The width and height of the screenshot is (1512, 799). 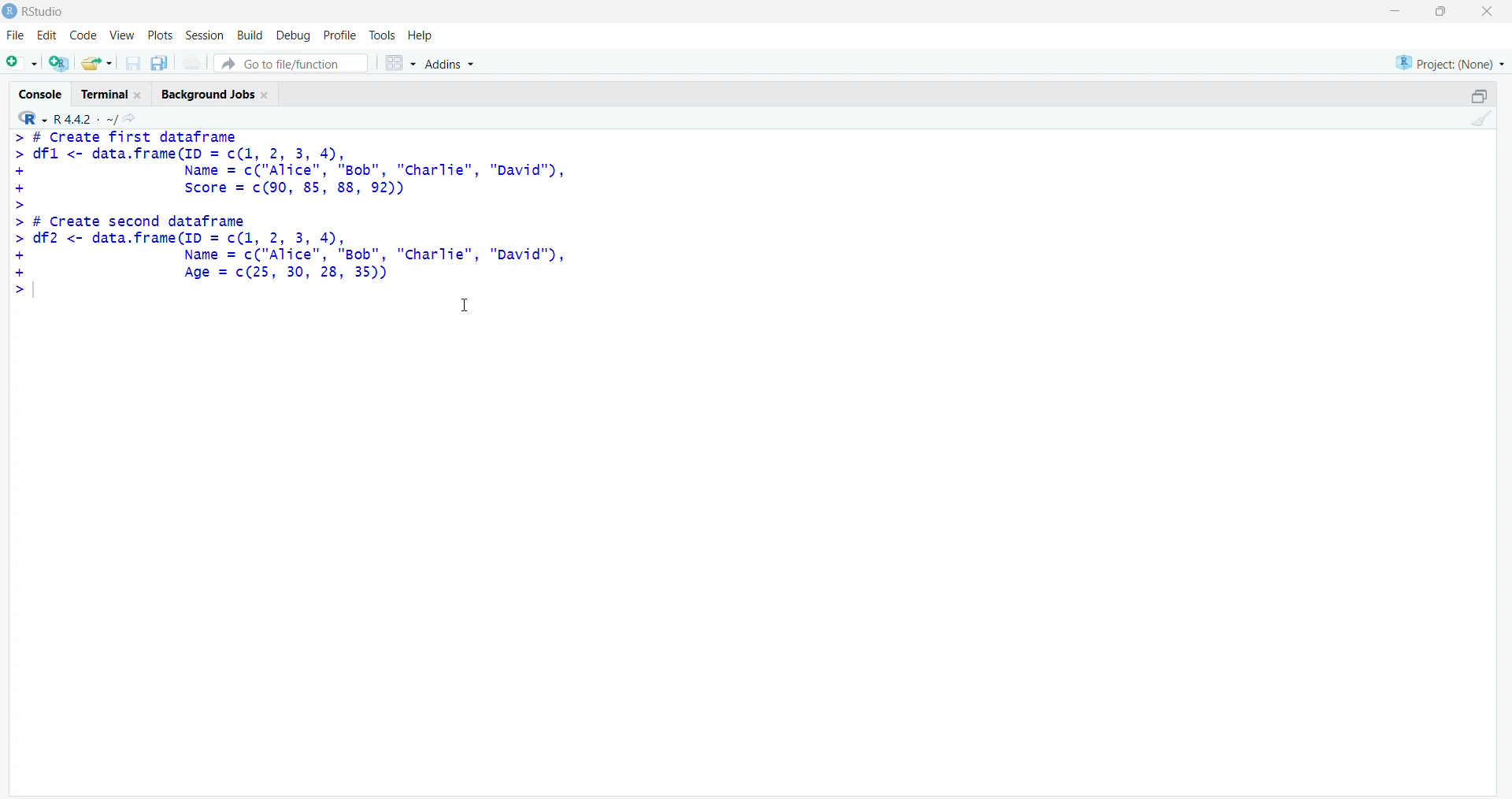 I want to click on profile, so click(x=339, y=35).